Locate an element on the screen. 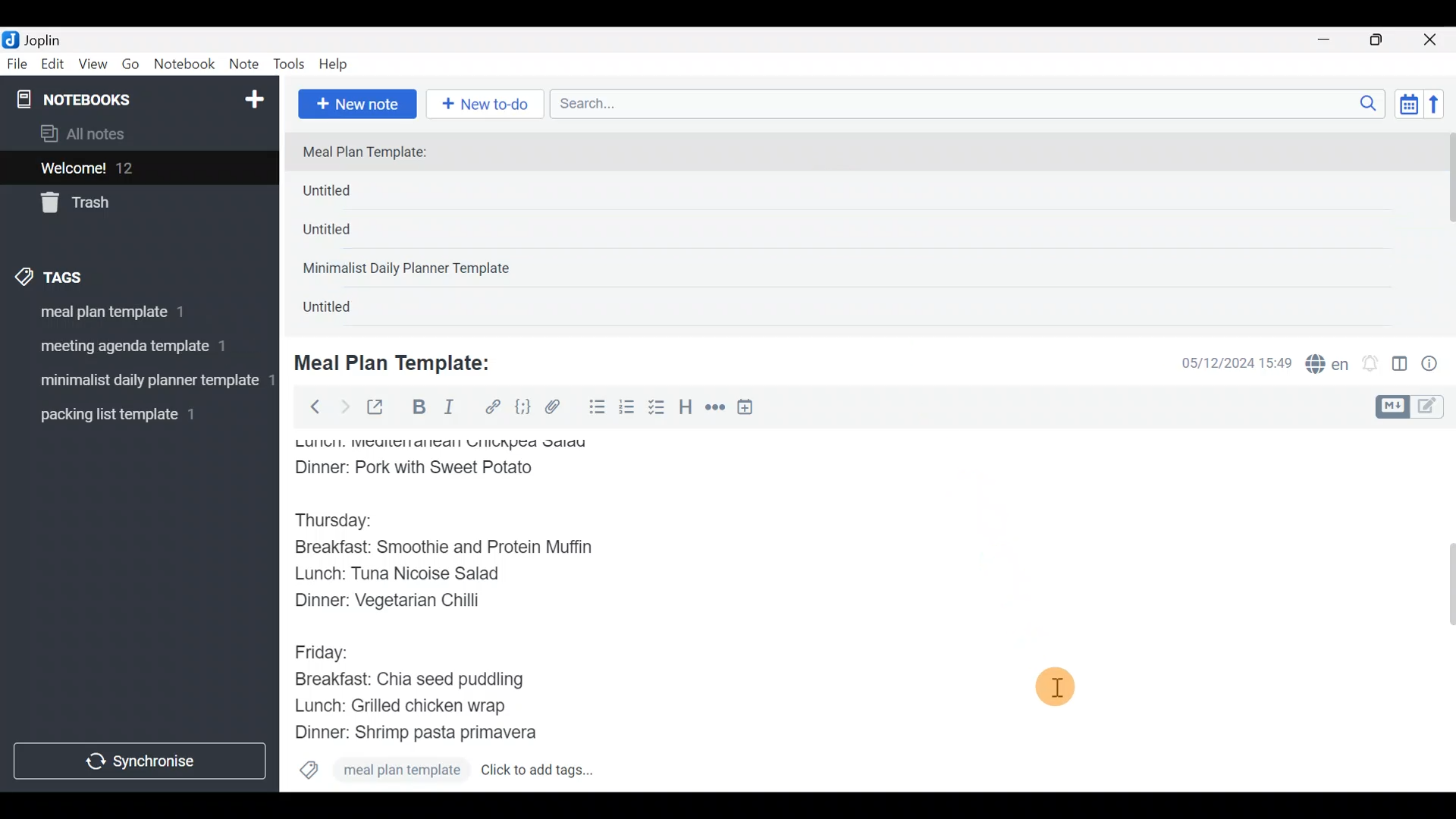 The height and width of the screenshot is (819, 1456). Dinner: Vegetarian Chilli is located at coordinates (401, 604).